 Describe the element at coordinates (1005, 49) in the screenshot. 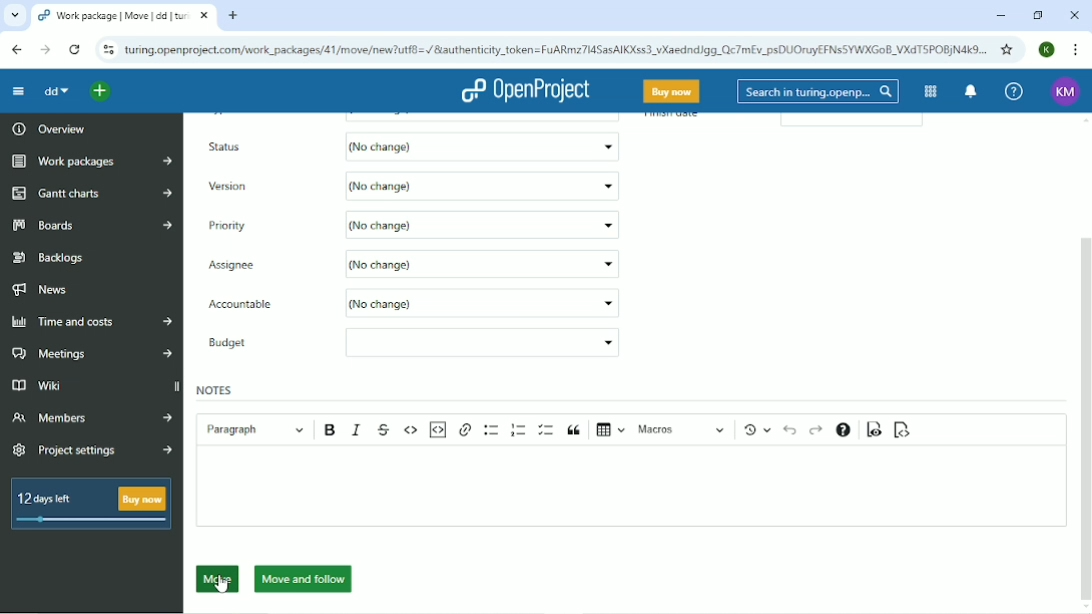

I see `Bookmark this tab` at that location.